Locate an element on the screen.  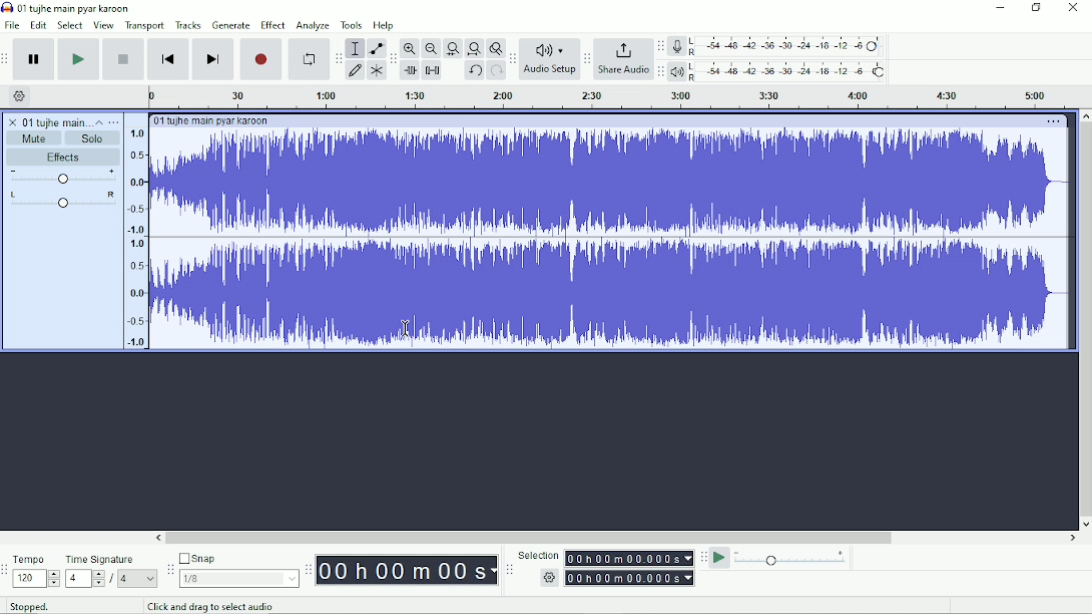
Audacity selection toolbar is located at coordinates (510, 571).